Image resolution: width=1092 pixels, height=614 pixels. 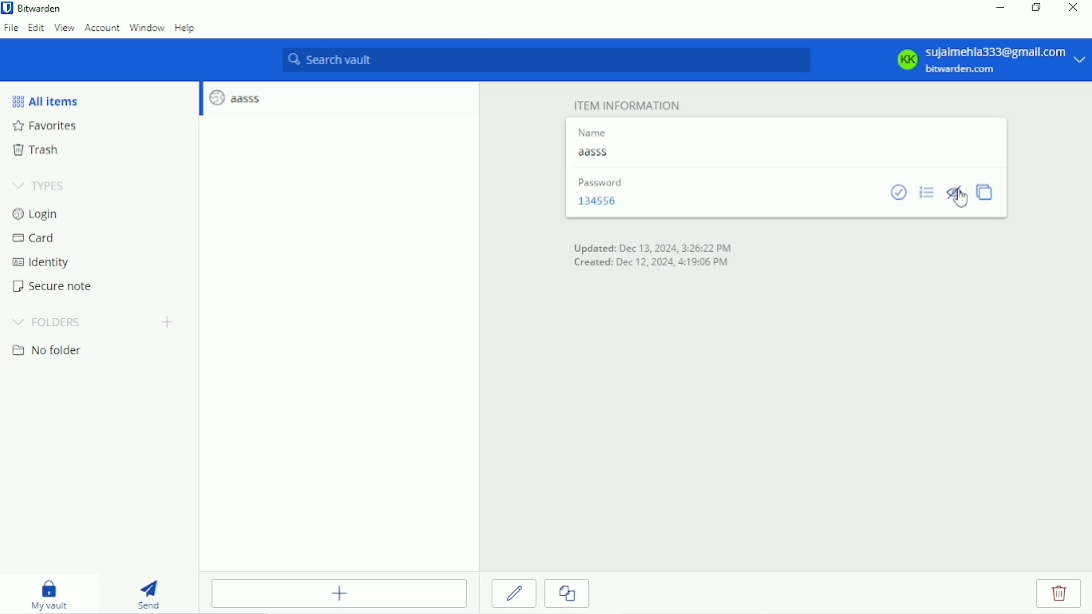 What do you see at coordinates (591, 131) in the screenshot?
I see `name label` at bounding box center [591, 131].